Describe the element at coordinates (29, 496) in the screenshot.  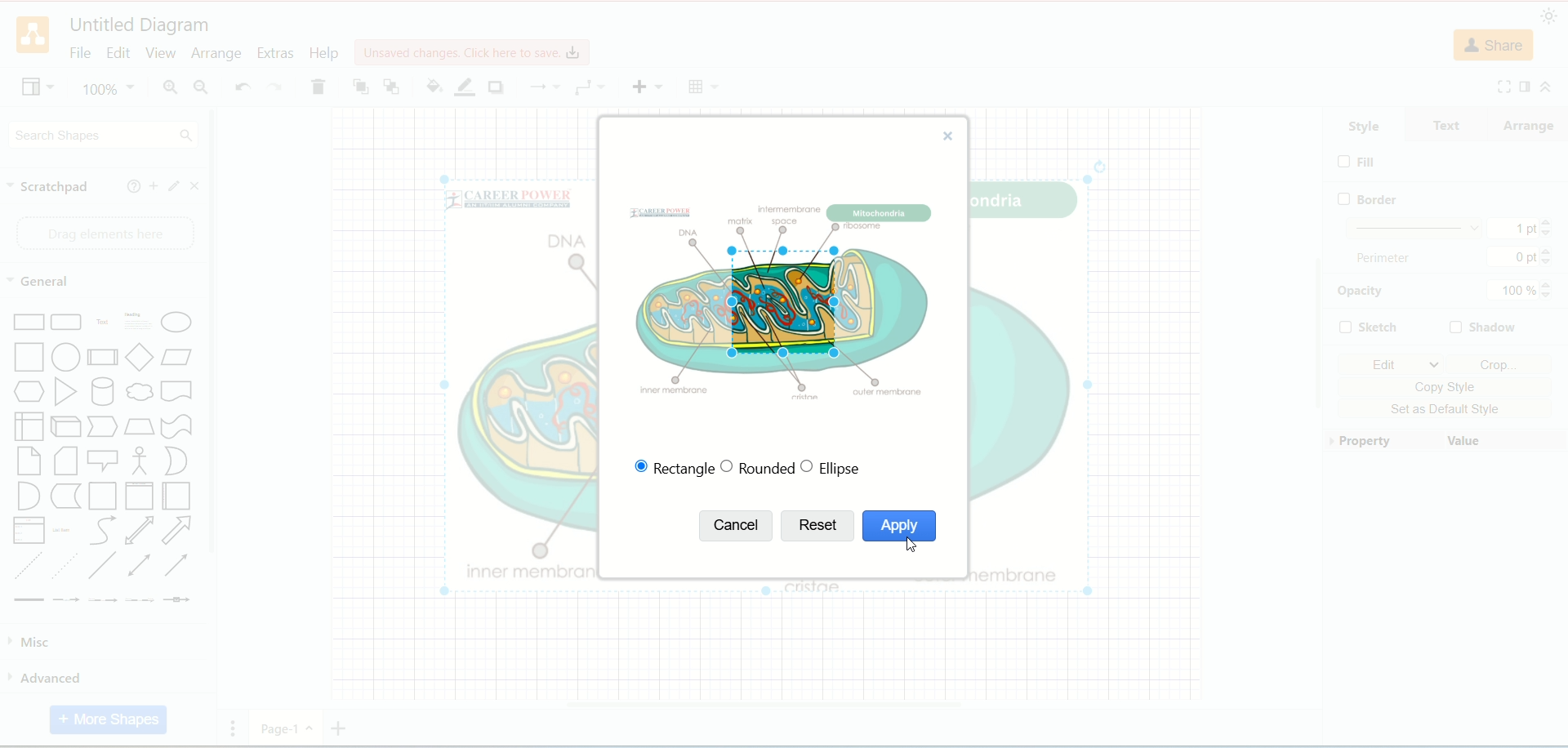
I see `And` at that location.